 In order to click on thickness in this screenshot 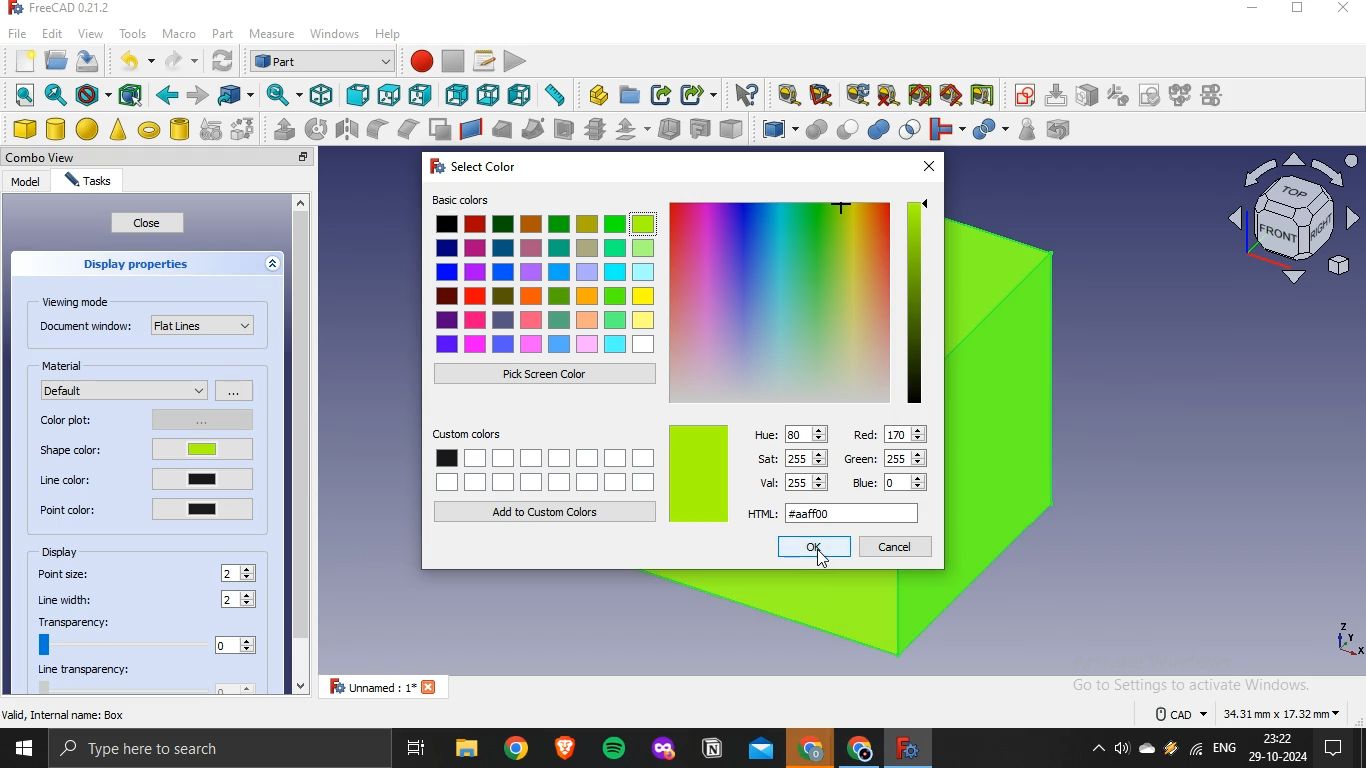, I will do `click(670, 127)`.